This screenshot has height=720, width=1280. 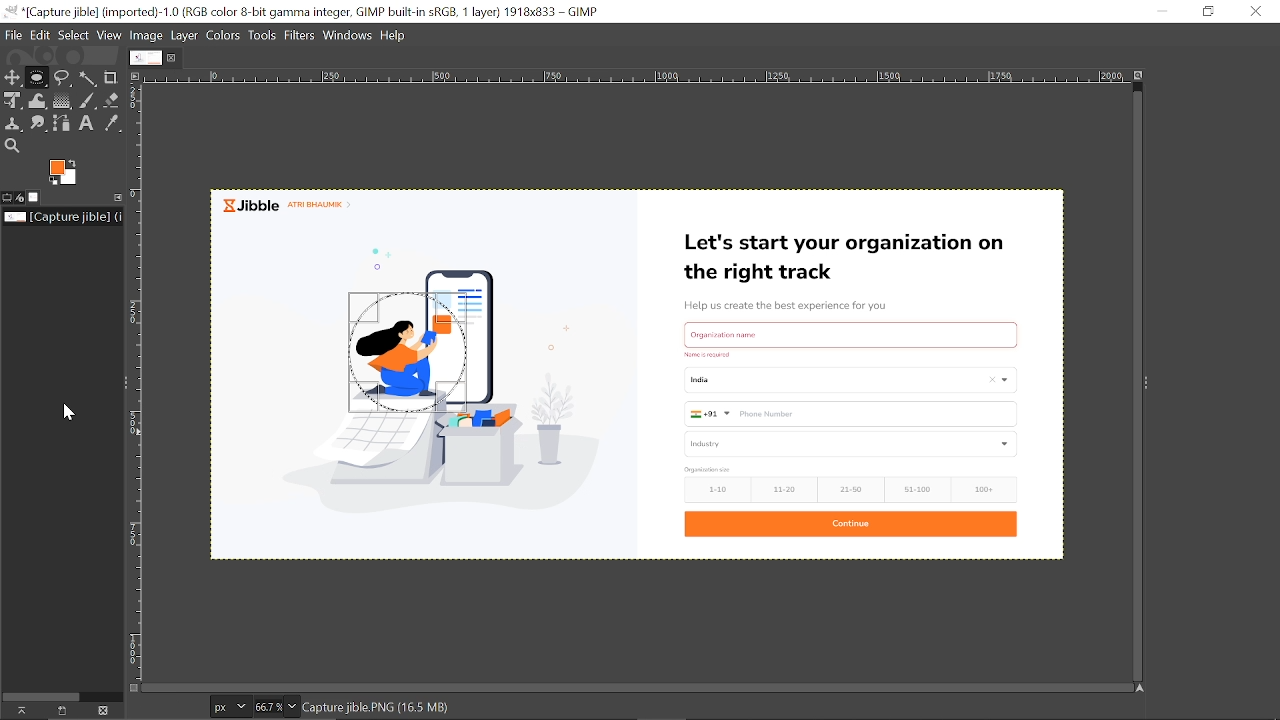 I want to click on Eraser tool, so click(x=114, y=100).